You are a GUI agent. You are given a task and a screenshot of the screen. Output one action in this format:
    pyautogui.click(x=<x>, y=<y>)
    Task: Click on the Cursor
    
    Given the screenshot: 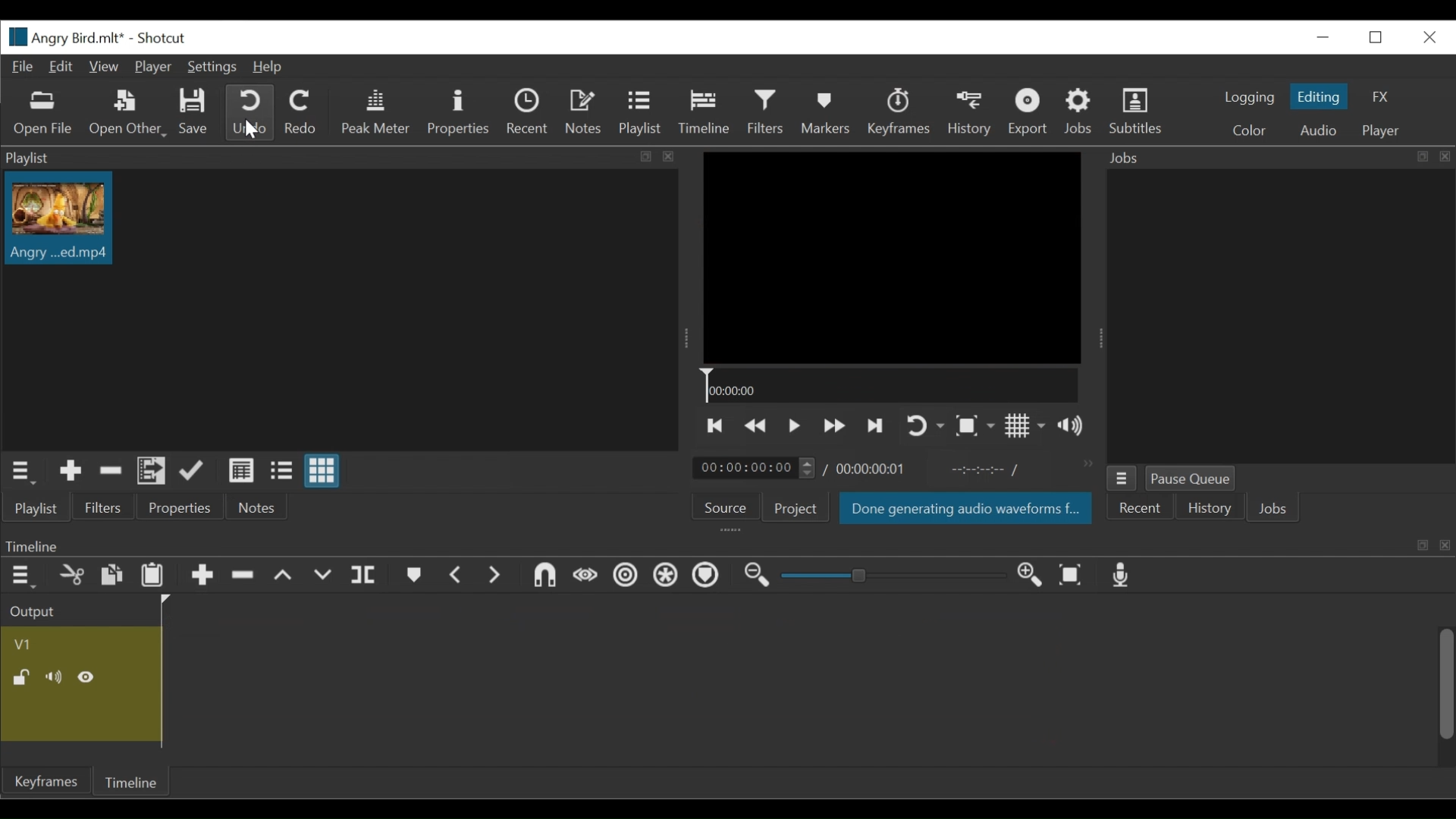 What is the action you would take?
    pyautogui.click(x=249, y=130)
    